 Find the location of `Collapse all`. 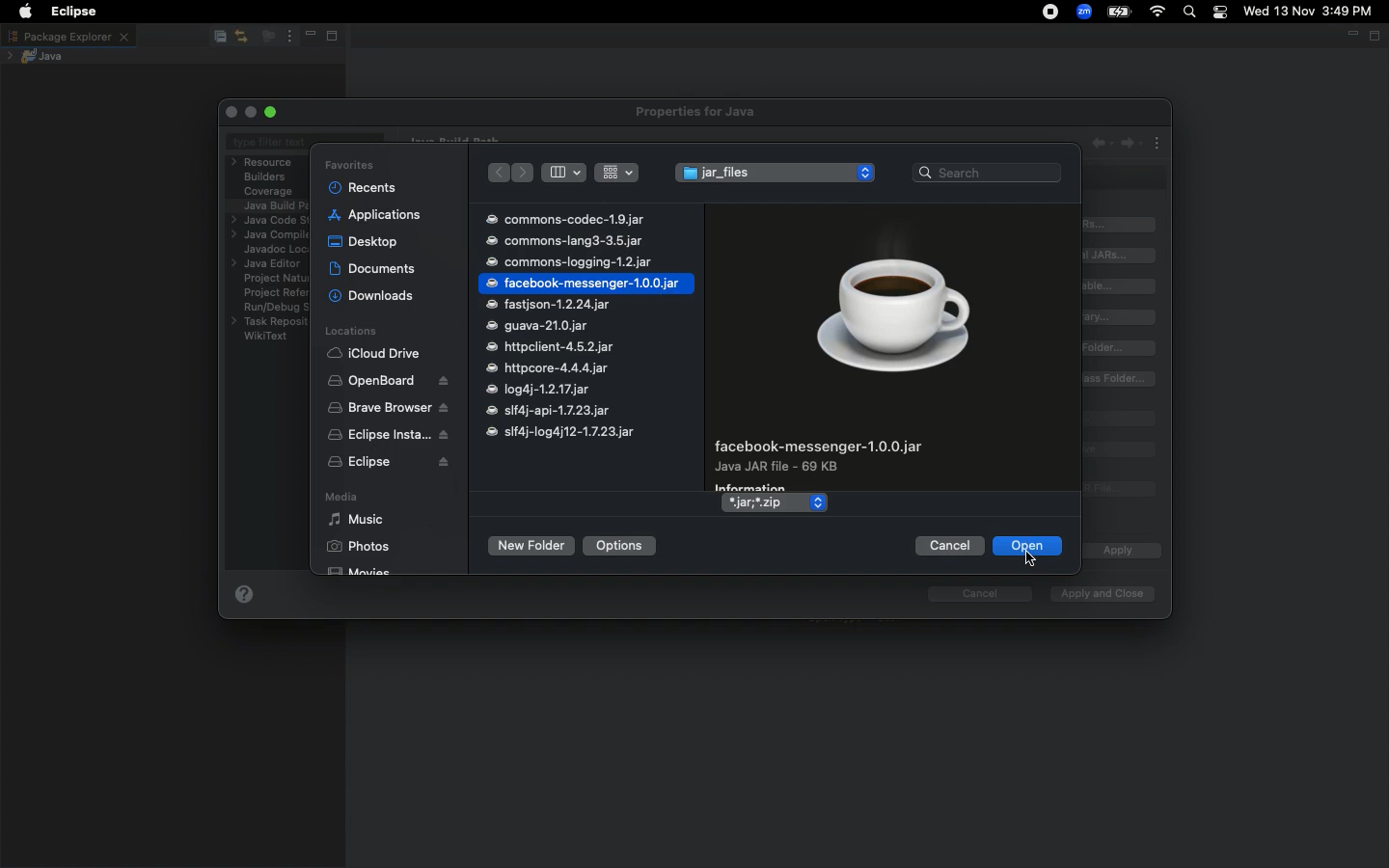

Collapse all is located at coordinates (218, 38).